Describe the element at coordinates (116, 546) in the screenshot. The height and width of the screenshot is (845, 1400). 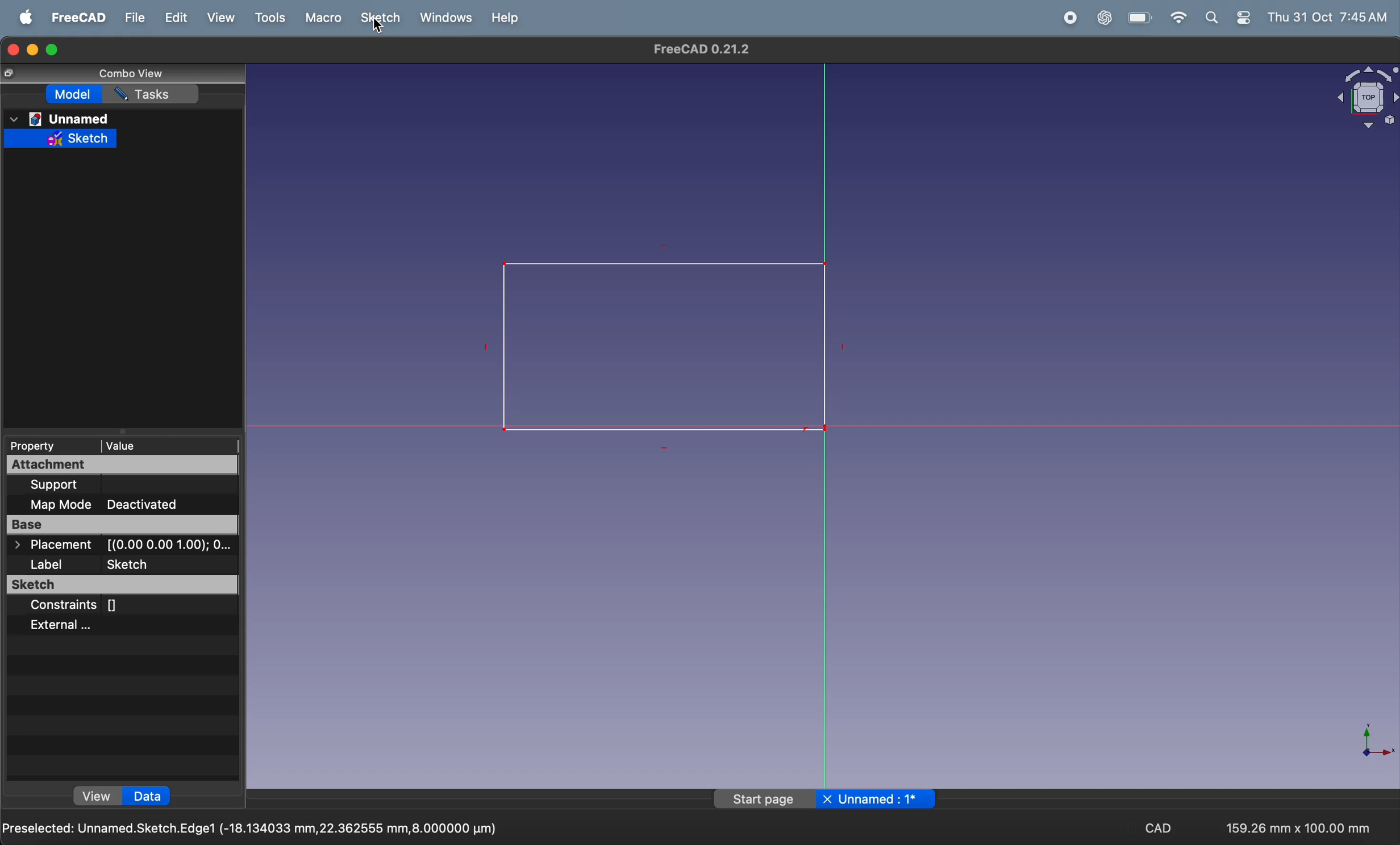
I see `placement` at that location.